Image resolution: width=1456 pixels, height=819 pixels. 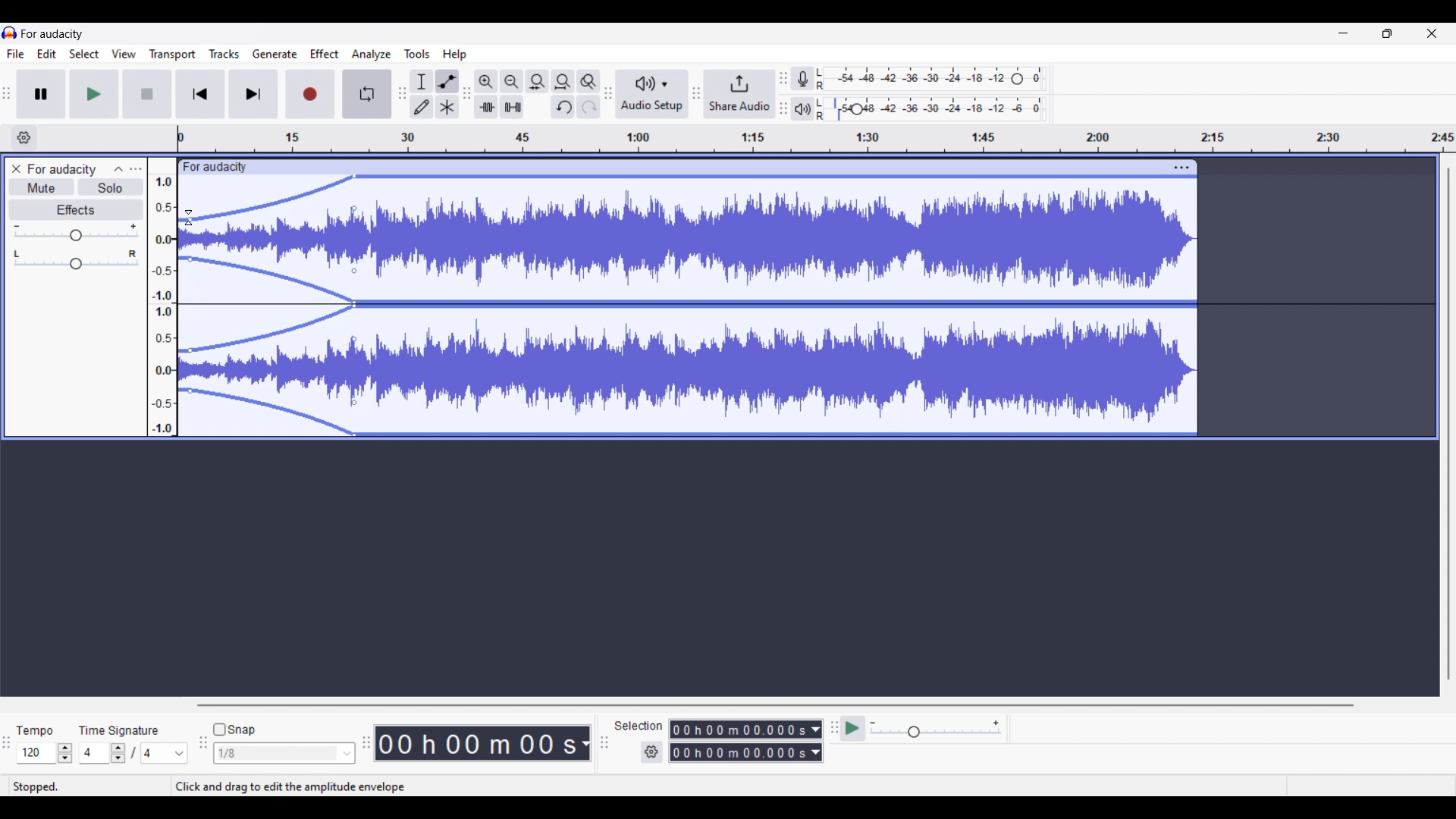 What do you see at coordinates (328, 787) in the screenshot?
I see `Click and drag to edit the amplitude envelope (Esc to cancel)` at bounding box center [328, 787].